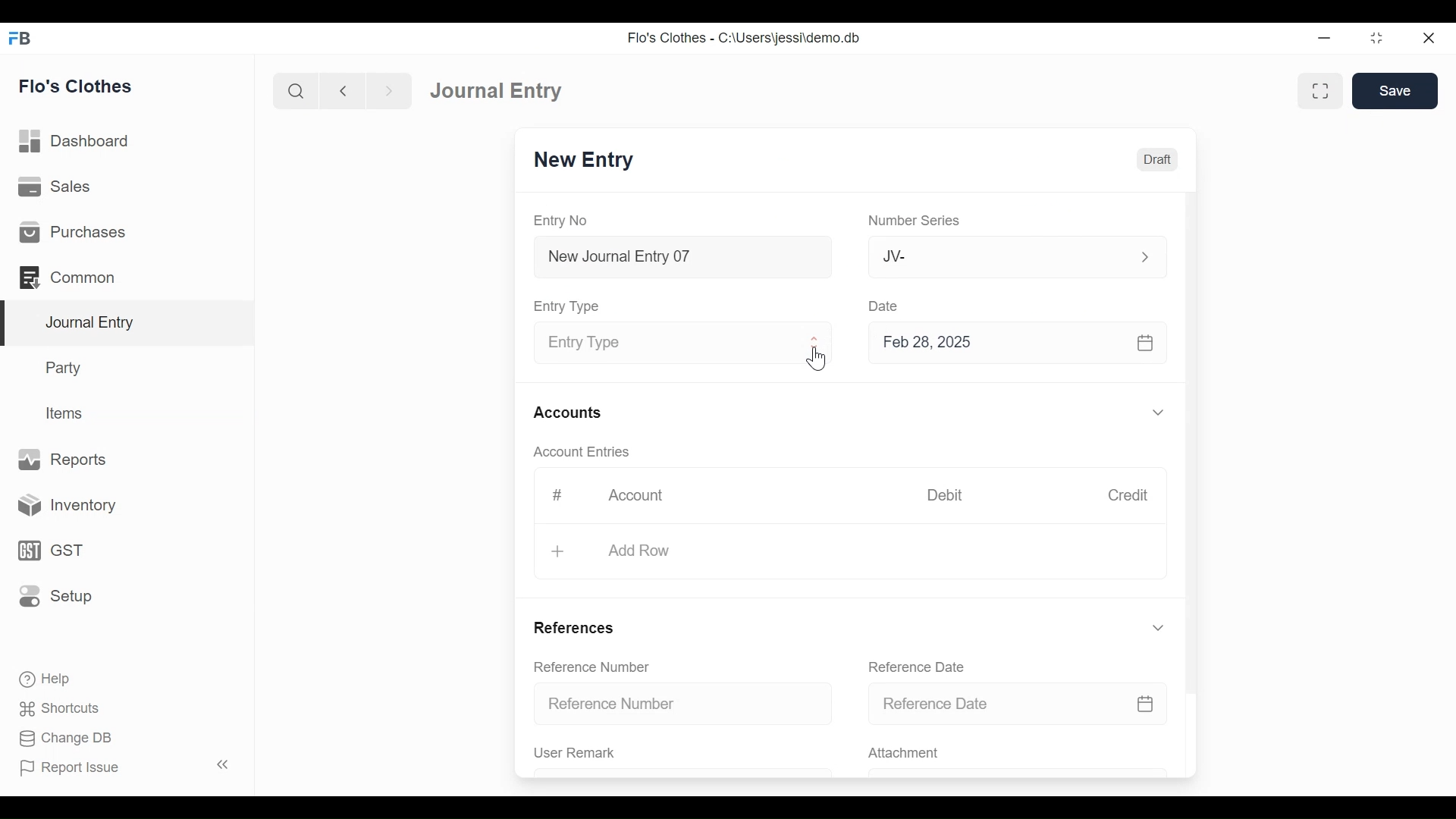 The image size is (1456, 819). What do you see at coordinates (1160, 627) in the screenshot?
I see `Expand` at bounding box center [1160, 627].